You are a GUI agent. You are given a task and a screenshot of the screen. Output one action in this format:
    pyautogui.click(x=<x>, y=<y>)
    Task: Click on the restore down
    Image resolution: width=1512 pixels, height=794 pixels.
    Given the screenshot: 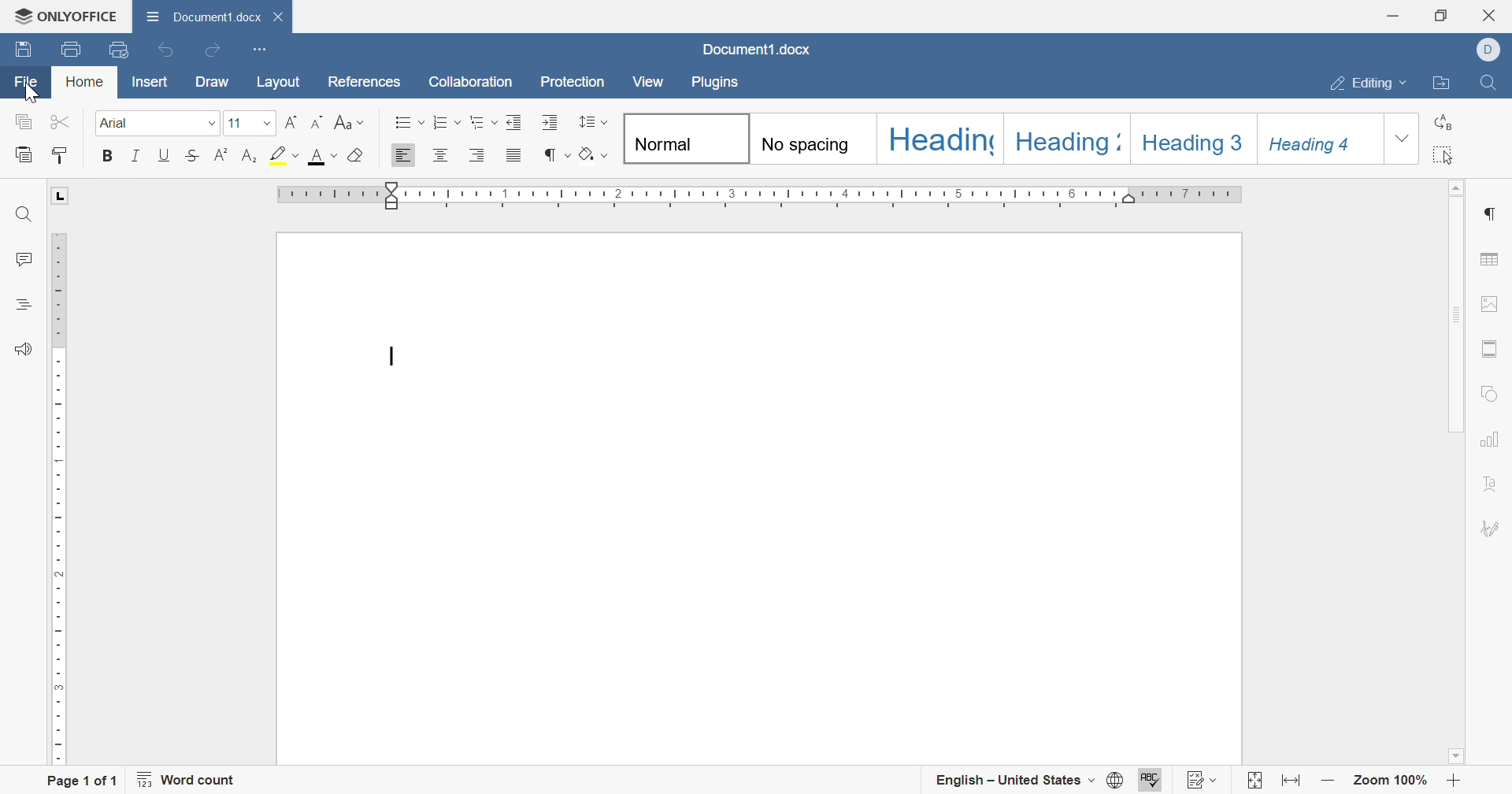 What is the action you would take?
    pyautogui.click(x=1443, y=13)
    